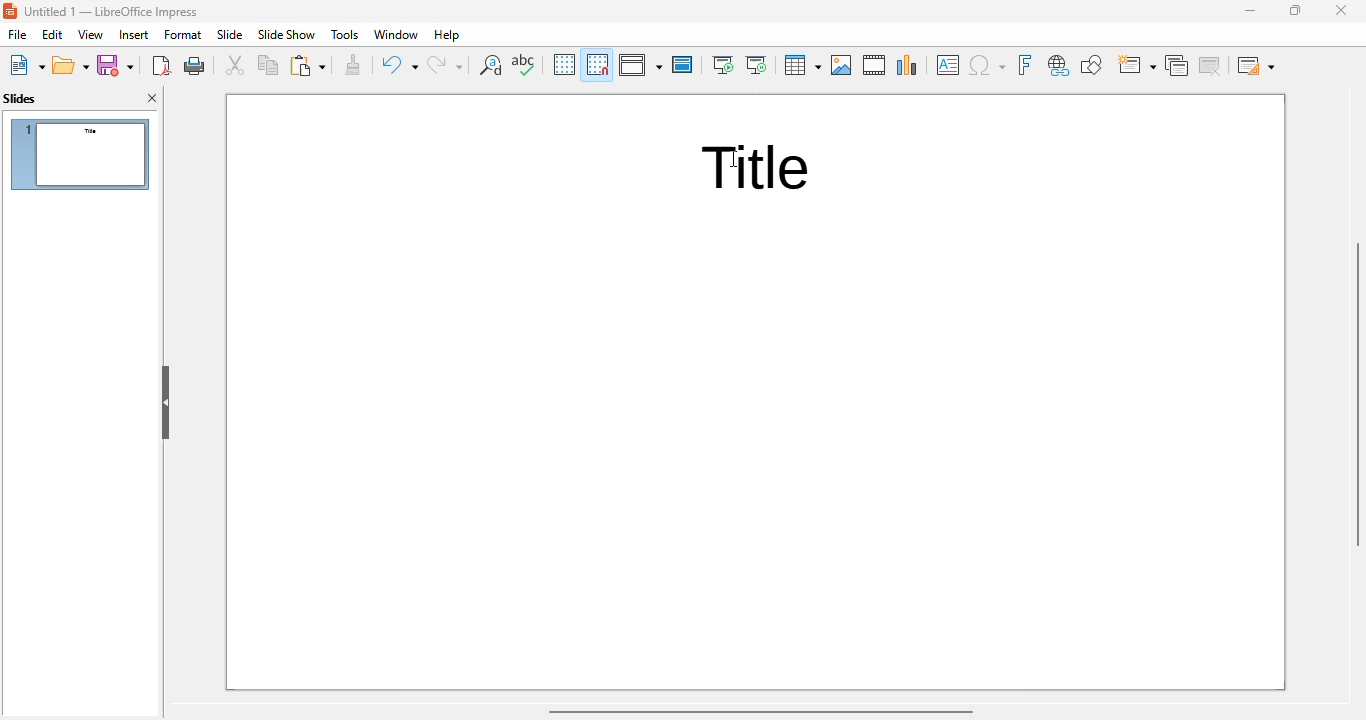 This screenshot has width=1366, height=720. Describe the element at coordinates (947, 65) in the screenshot. I see `insert text box` at that location.